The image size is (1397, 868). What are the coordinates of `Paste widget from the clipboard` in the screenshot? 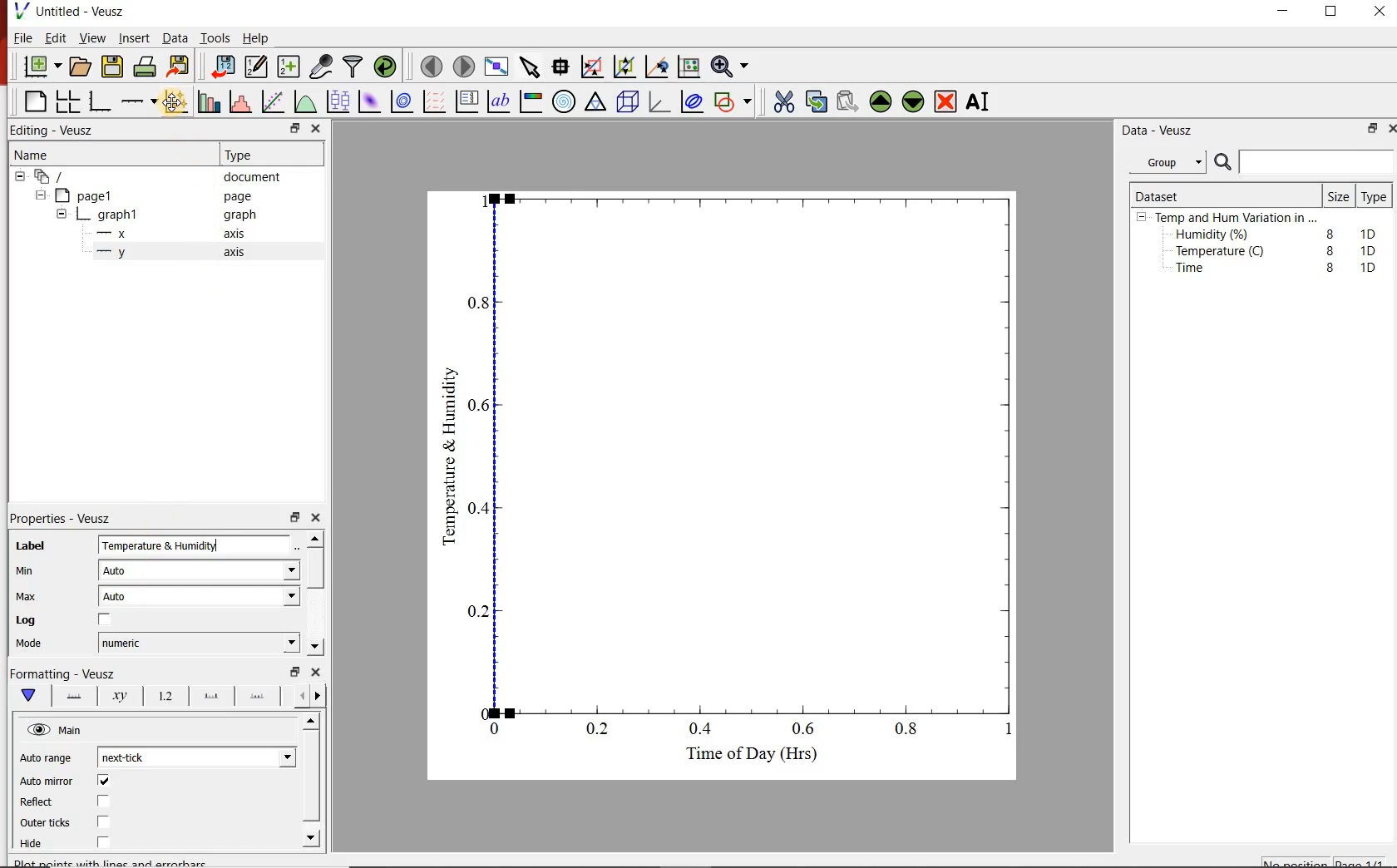 It's located at (848, 101).